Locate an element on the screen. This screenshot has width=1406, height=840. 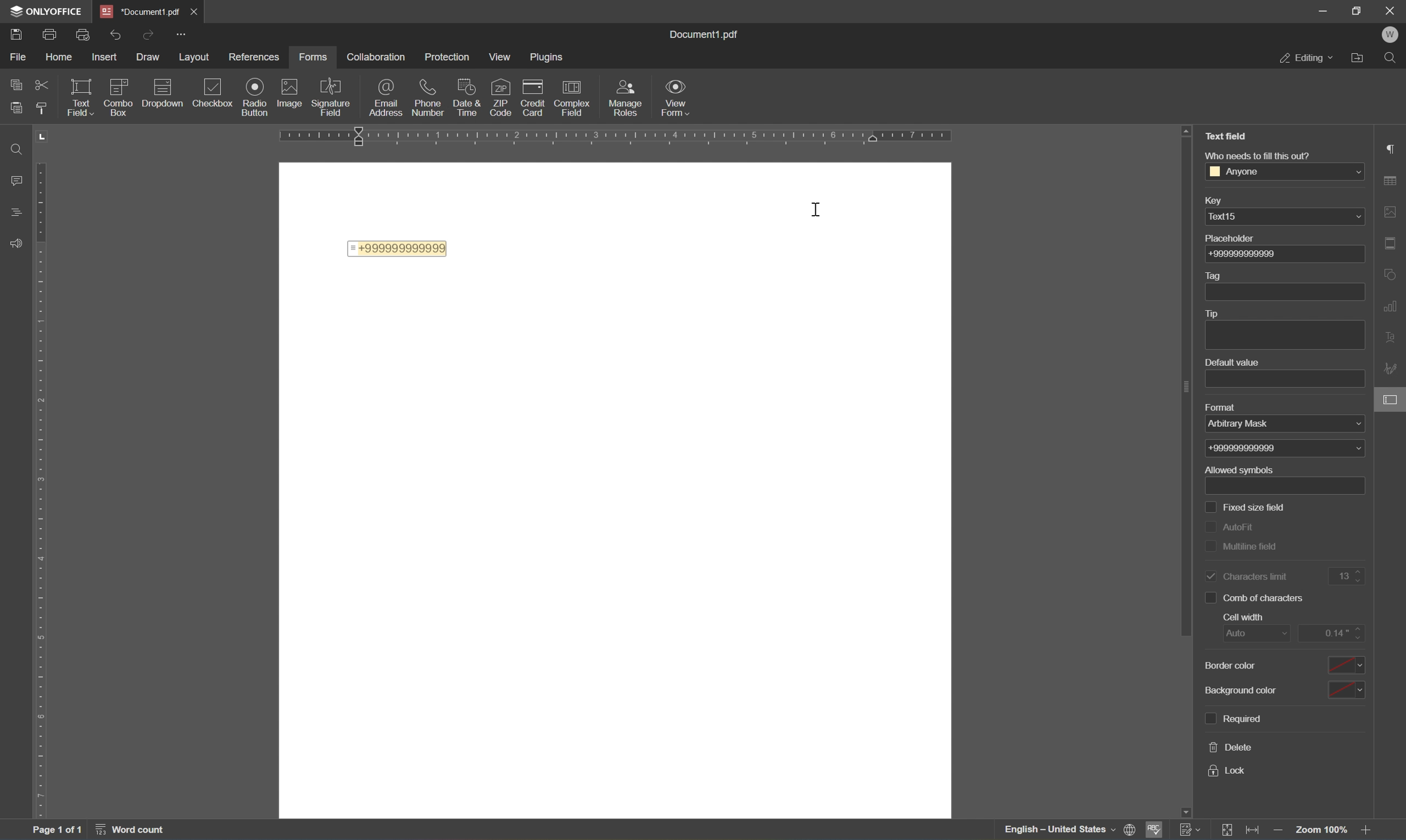
draw is located at coordinates (144, 57).